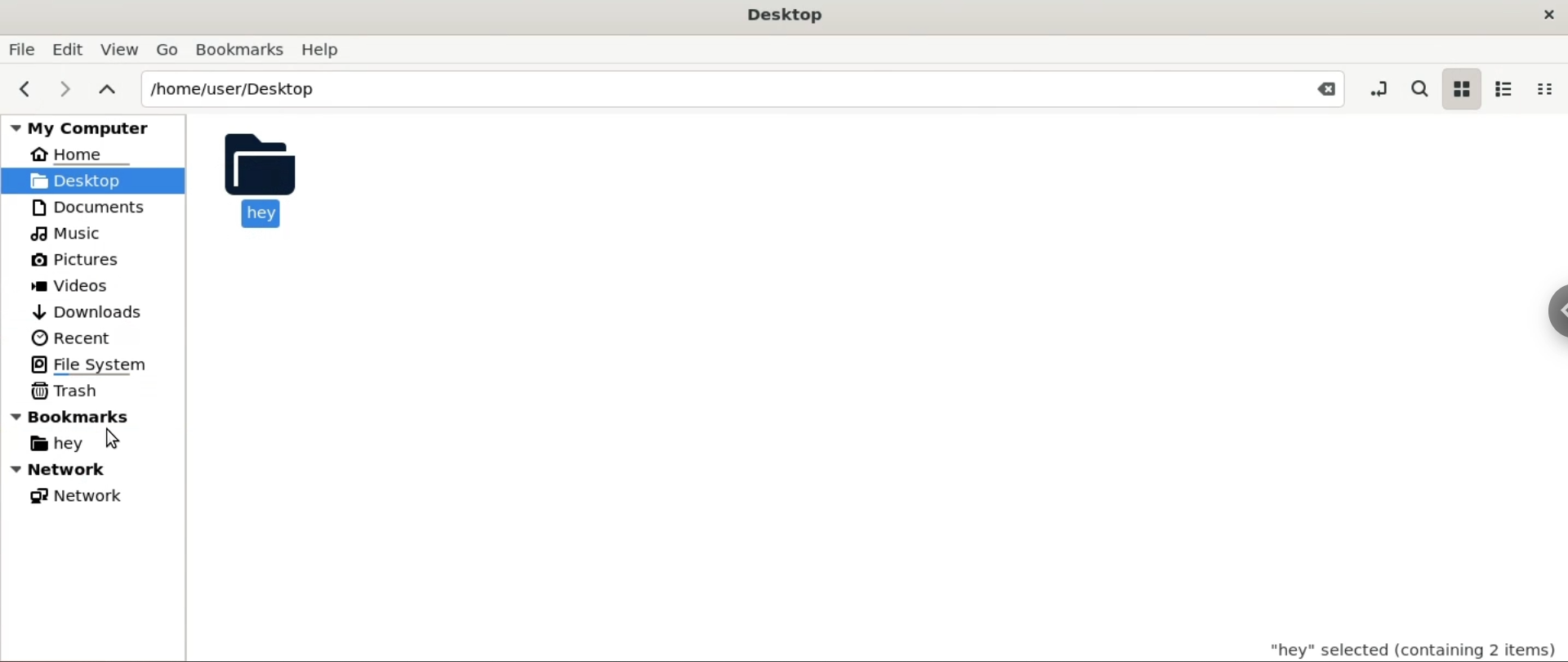 The width and height of the screenshot is (1568, 662). What do you see at coordinates (69, 47) in the screenshot?
I see `Edit` at bounding box center [69, 47].